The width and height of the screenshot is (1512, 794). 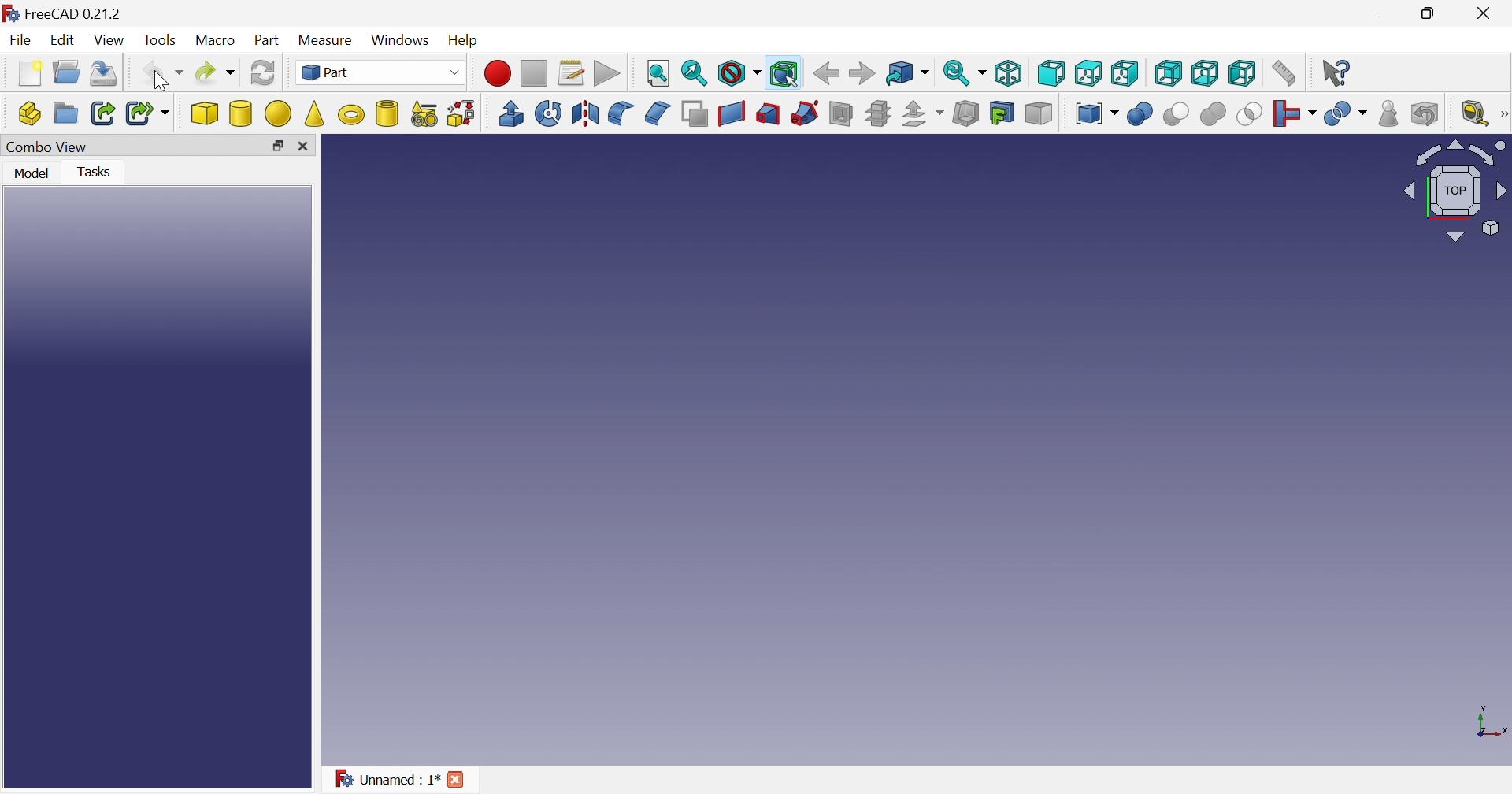 I want to click on Cube, so click(x=206, y=113).